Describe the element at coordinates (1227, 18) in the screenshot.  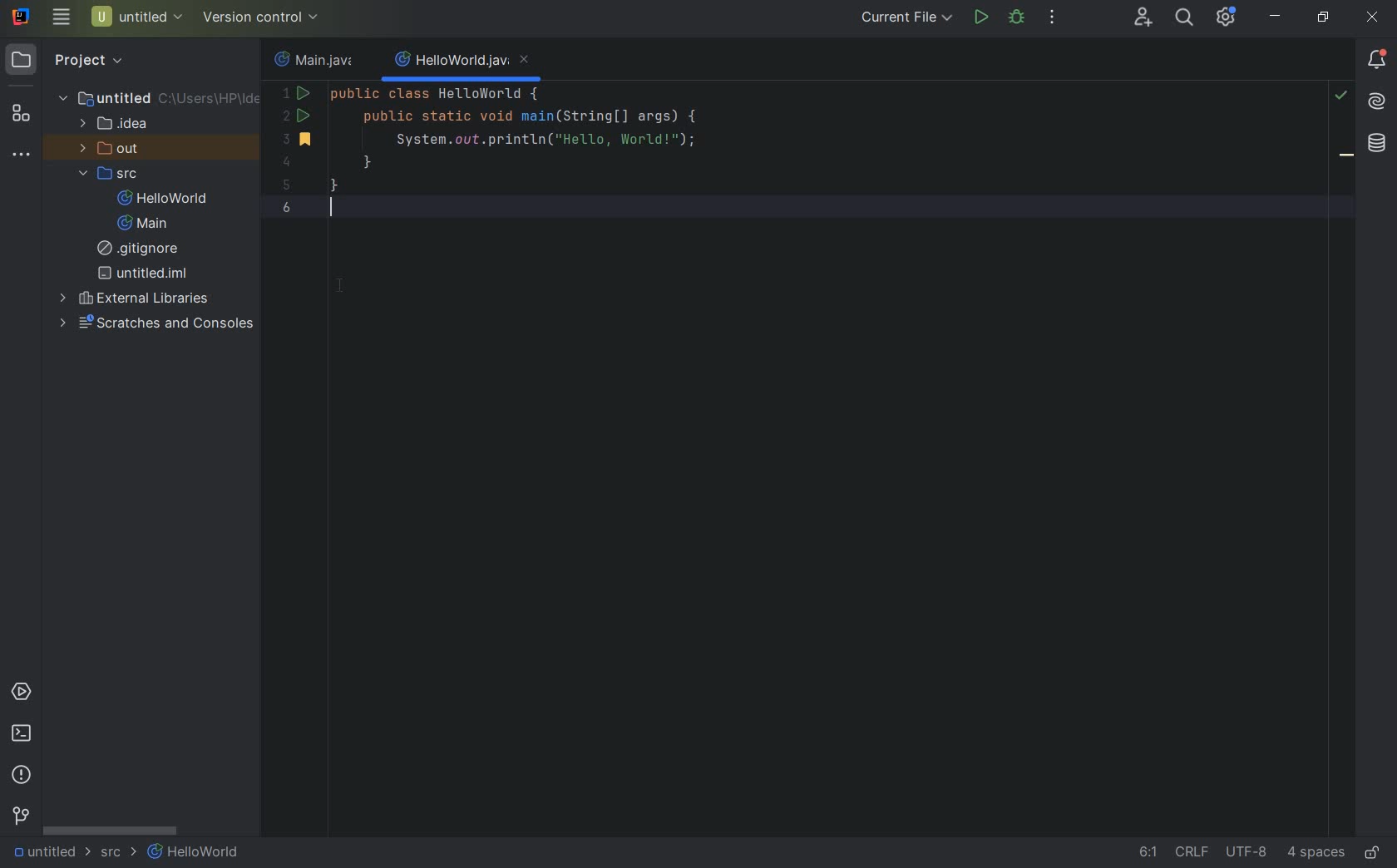
I see `IDE and Project Settings` at that location.